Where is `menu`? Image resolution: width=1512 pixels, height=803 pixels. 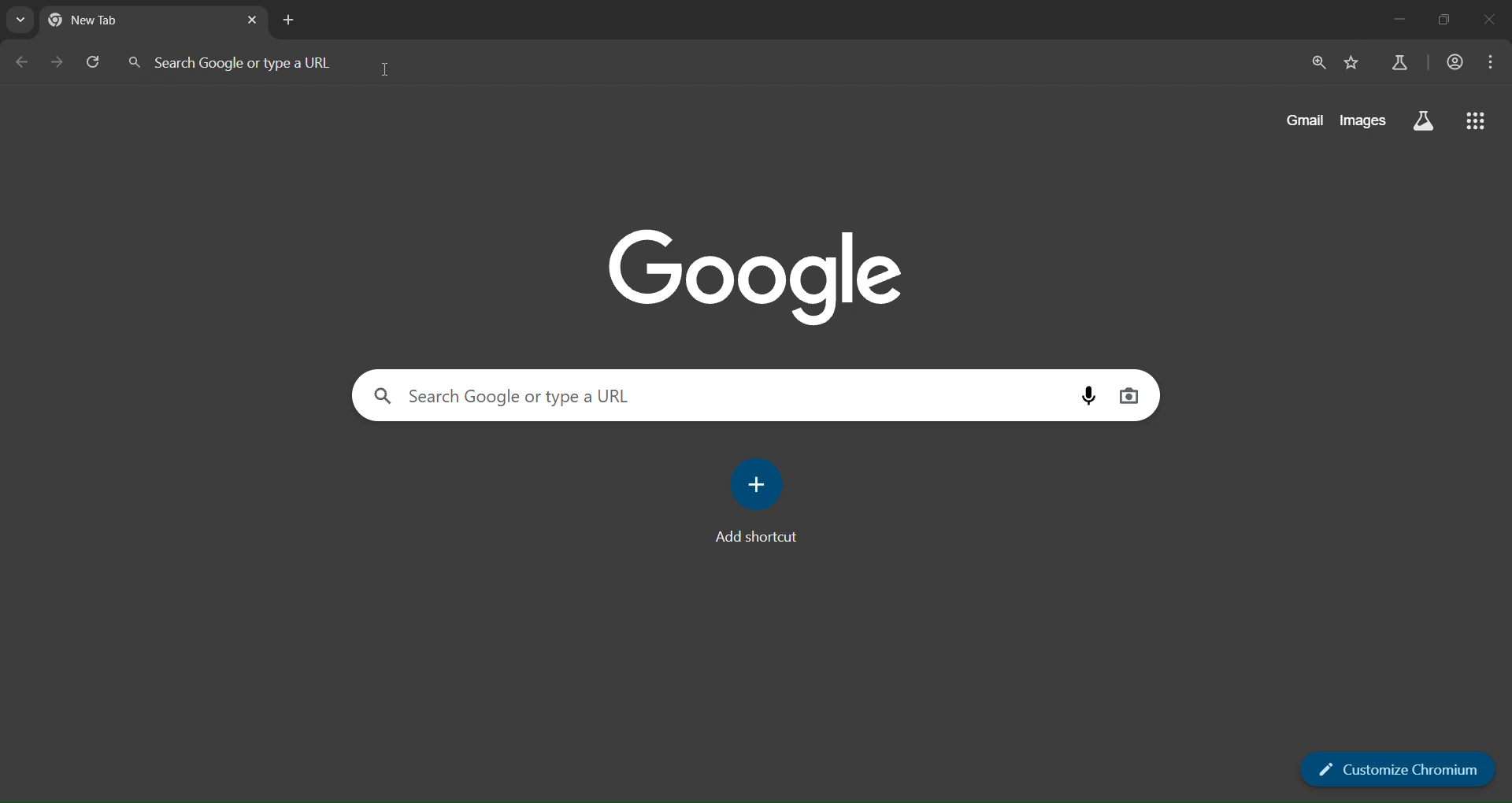
menu is located at coordinates (1495, 61).